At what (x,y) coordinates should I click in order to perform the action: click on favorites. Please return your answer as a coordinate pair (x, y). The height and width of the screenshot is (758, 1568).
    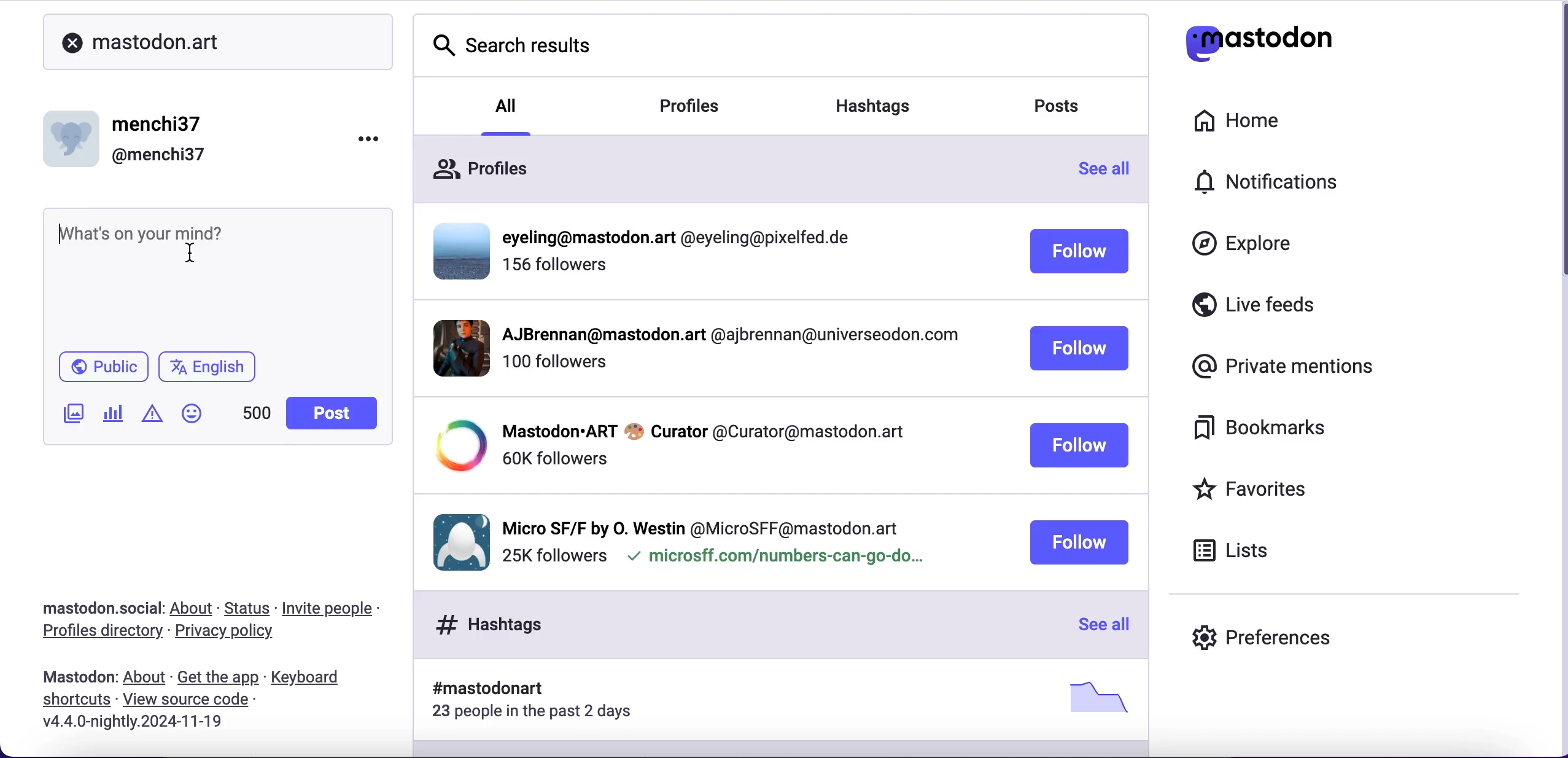
    Looking at the image, I should click on (1255, 493).